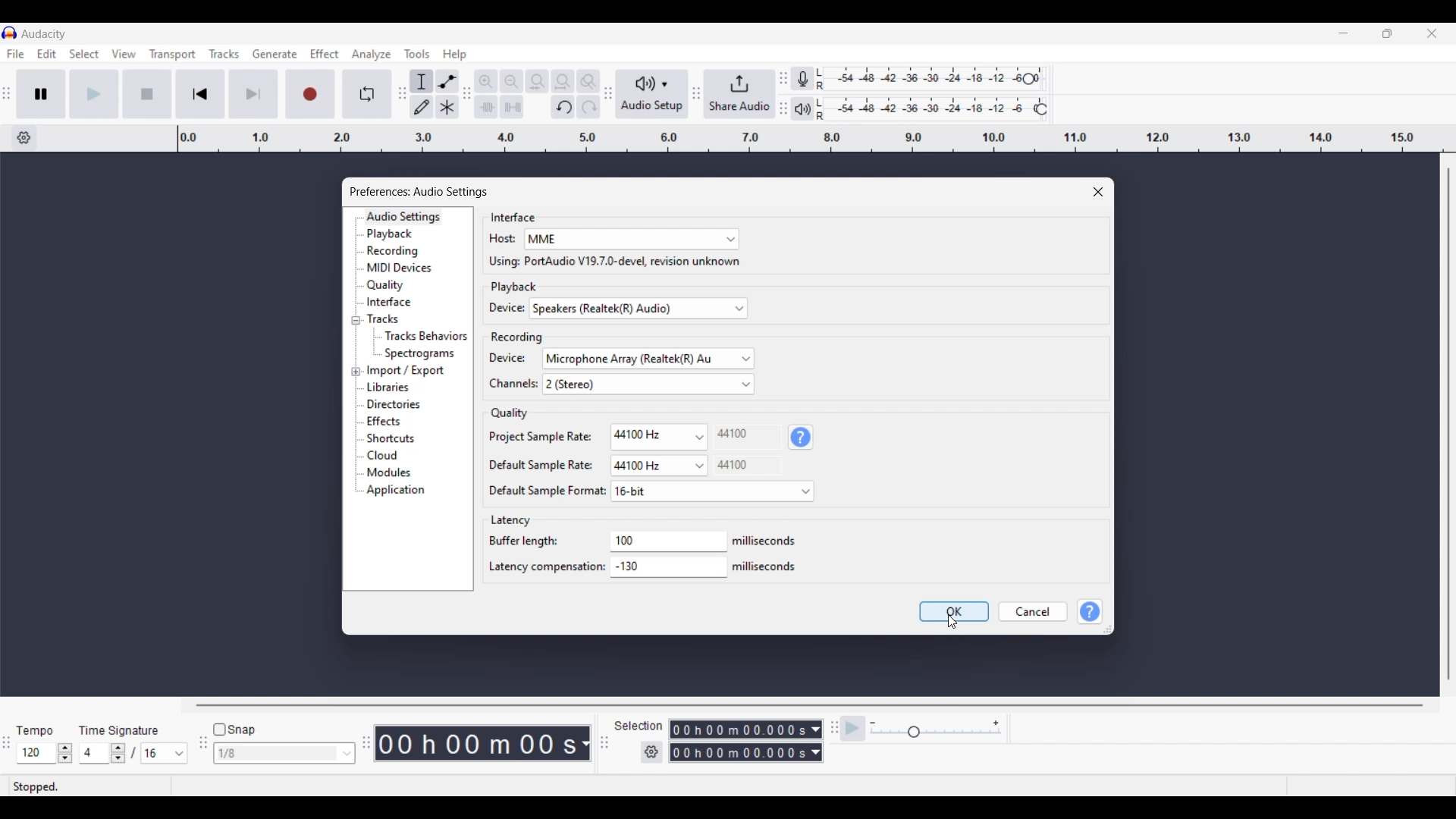  What do you see at coordinates (532, 465) in the screenshot?
I see `Default Sample Rate:` at bounding box center [532, 465].